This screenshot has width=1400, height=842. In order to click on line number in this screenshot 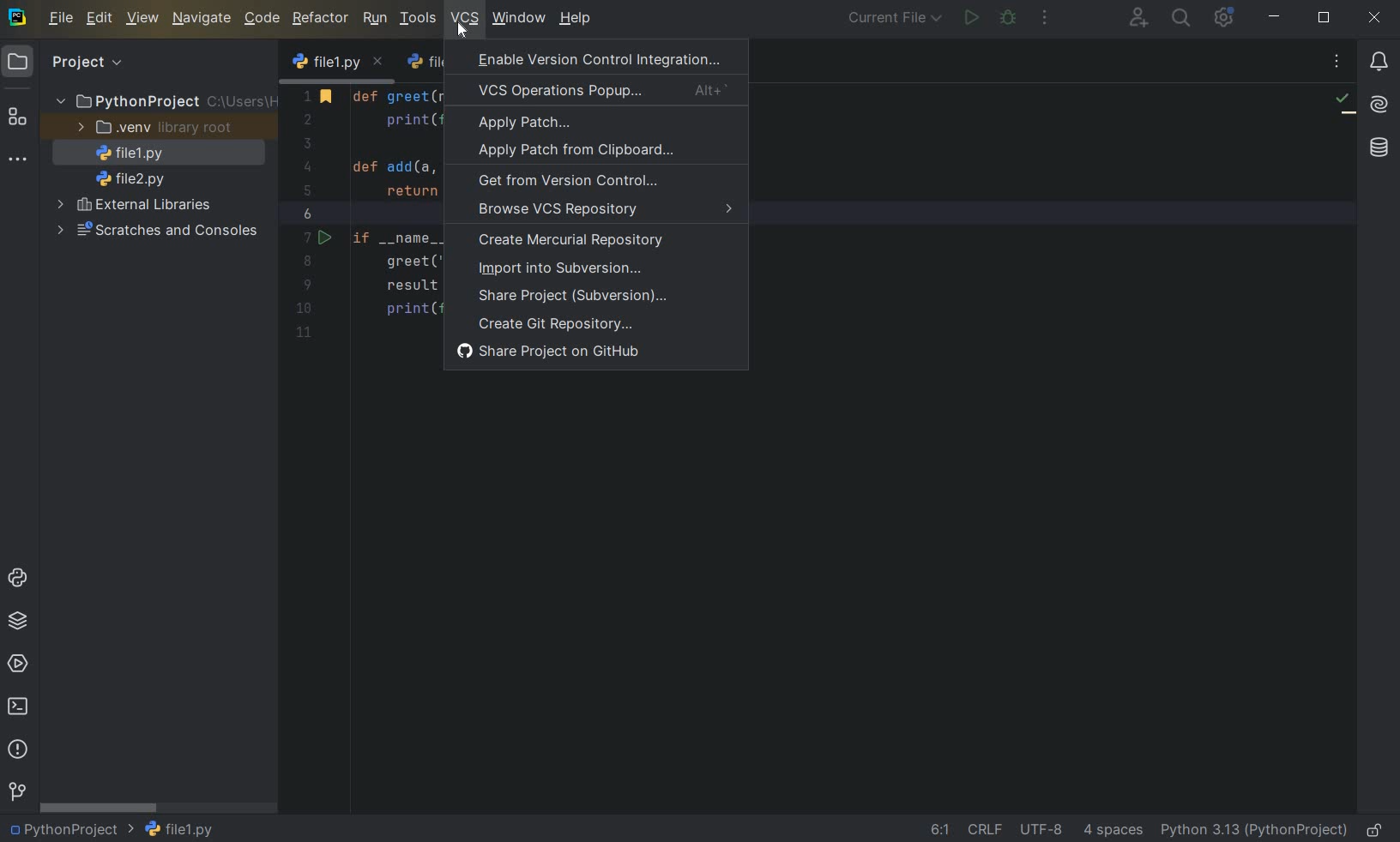, I will do `click(310, 214)`.